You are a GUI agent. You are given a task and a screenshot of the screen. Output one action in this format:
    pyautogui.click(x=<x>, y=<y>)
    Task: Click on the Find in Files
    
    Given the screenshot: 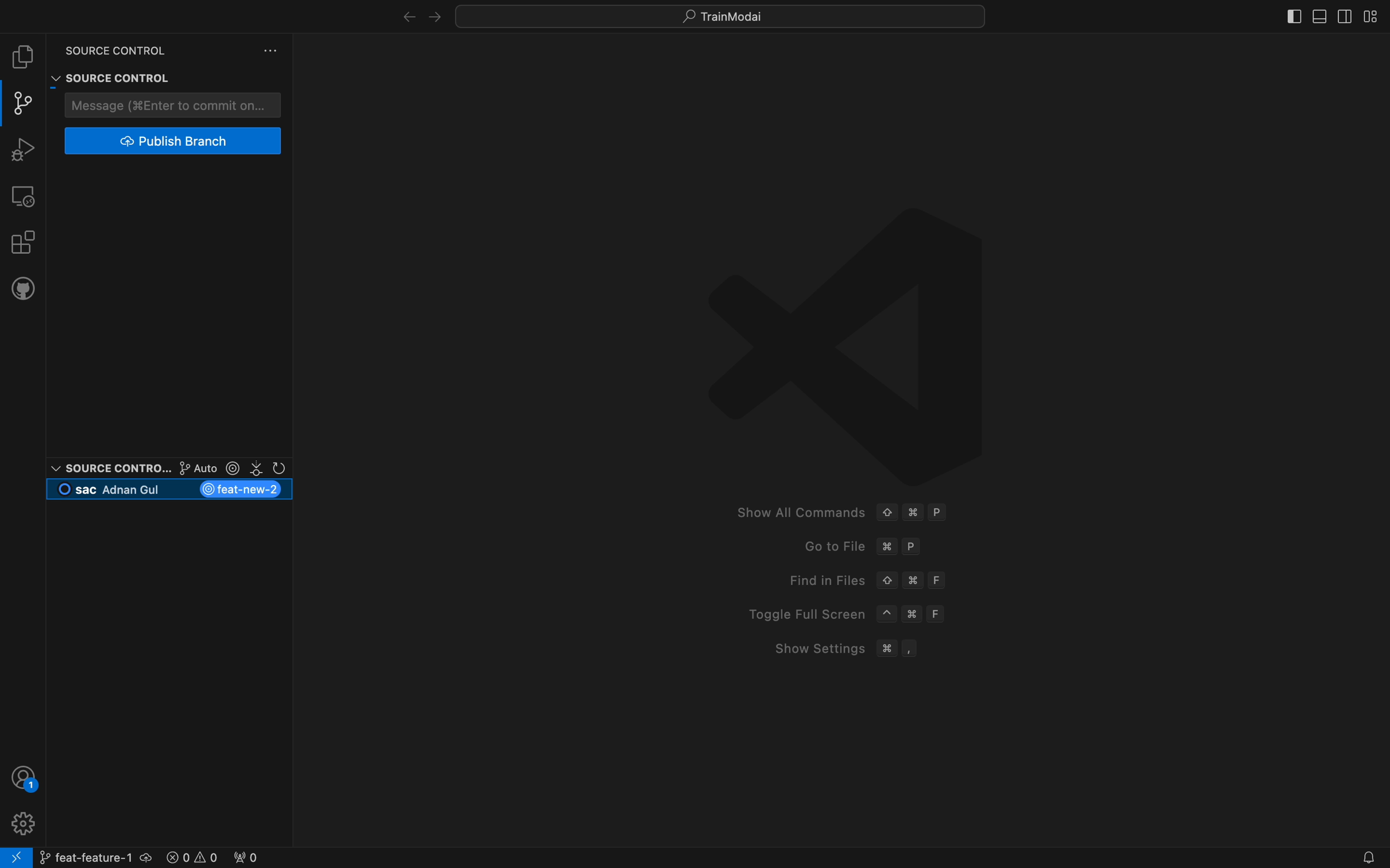 What is the action you would take?
    pyautogui.click(x=817, y=580)
    